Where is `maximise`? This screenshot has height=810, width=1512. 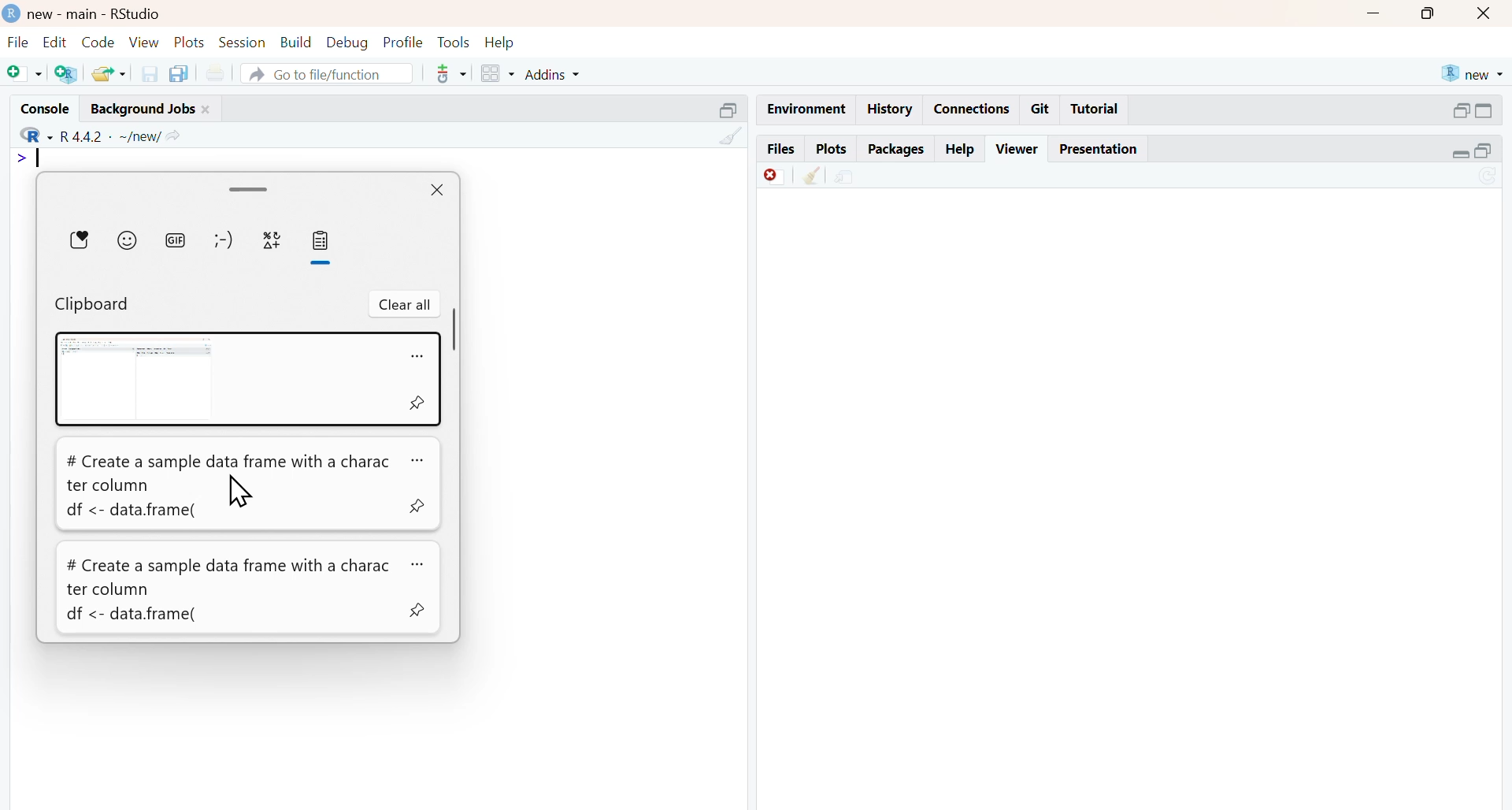
maximise is located at coordinates (1427, 13).